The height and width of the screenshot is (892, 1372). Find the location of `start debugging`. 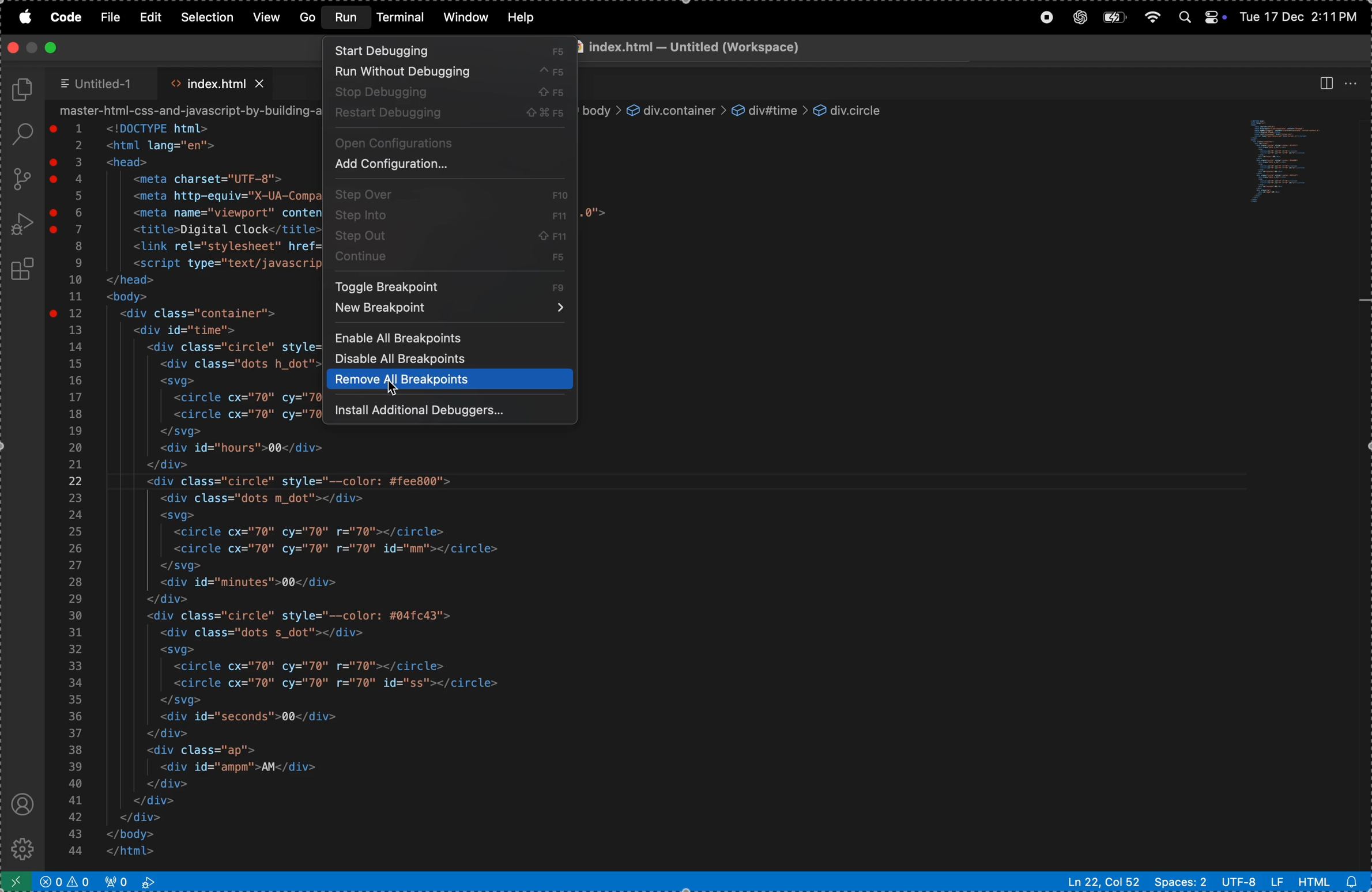

start debugging is located at coordinates (452, 51).